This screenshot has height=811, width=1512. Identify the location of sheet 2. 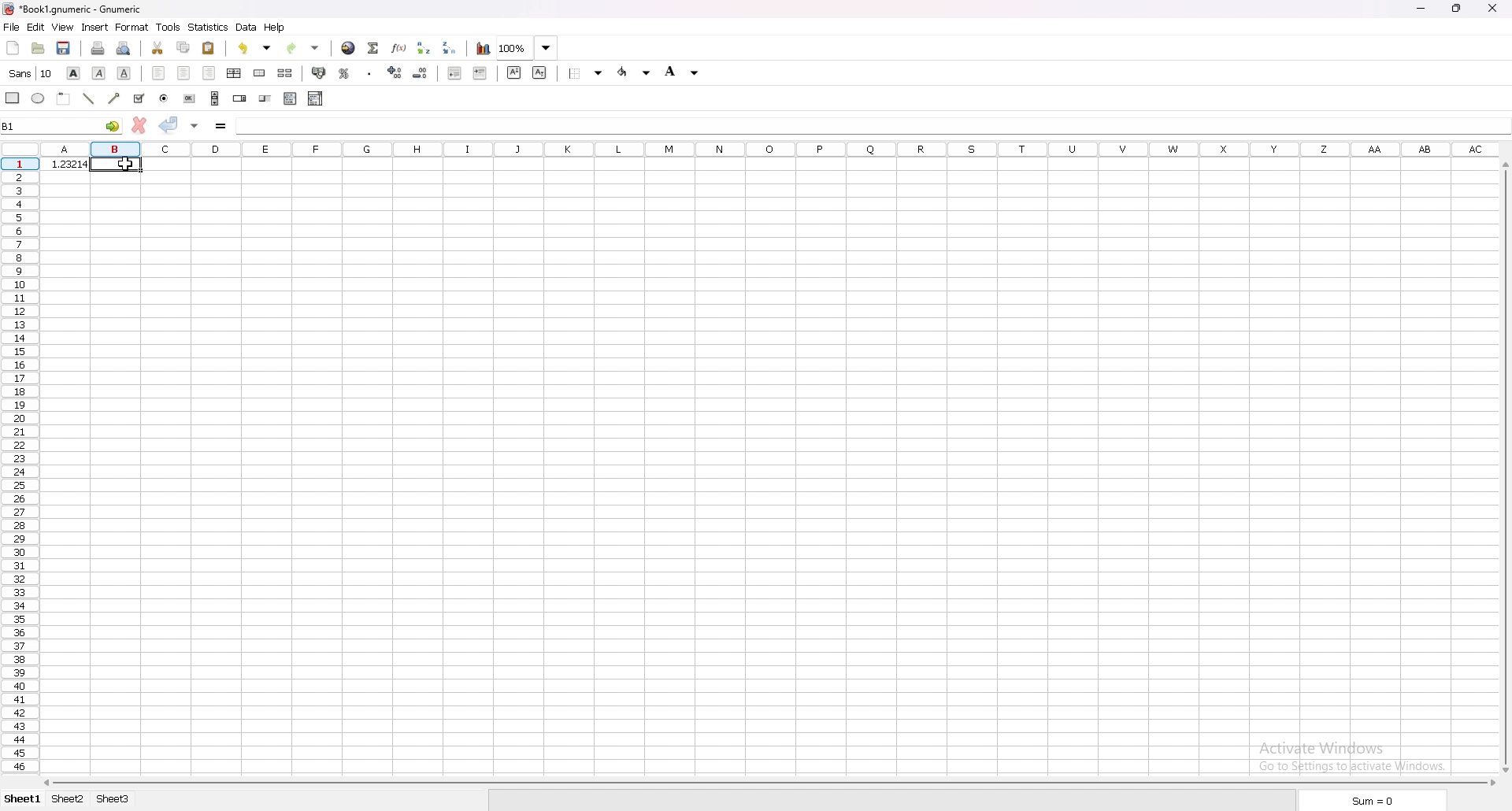
(69, 799).